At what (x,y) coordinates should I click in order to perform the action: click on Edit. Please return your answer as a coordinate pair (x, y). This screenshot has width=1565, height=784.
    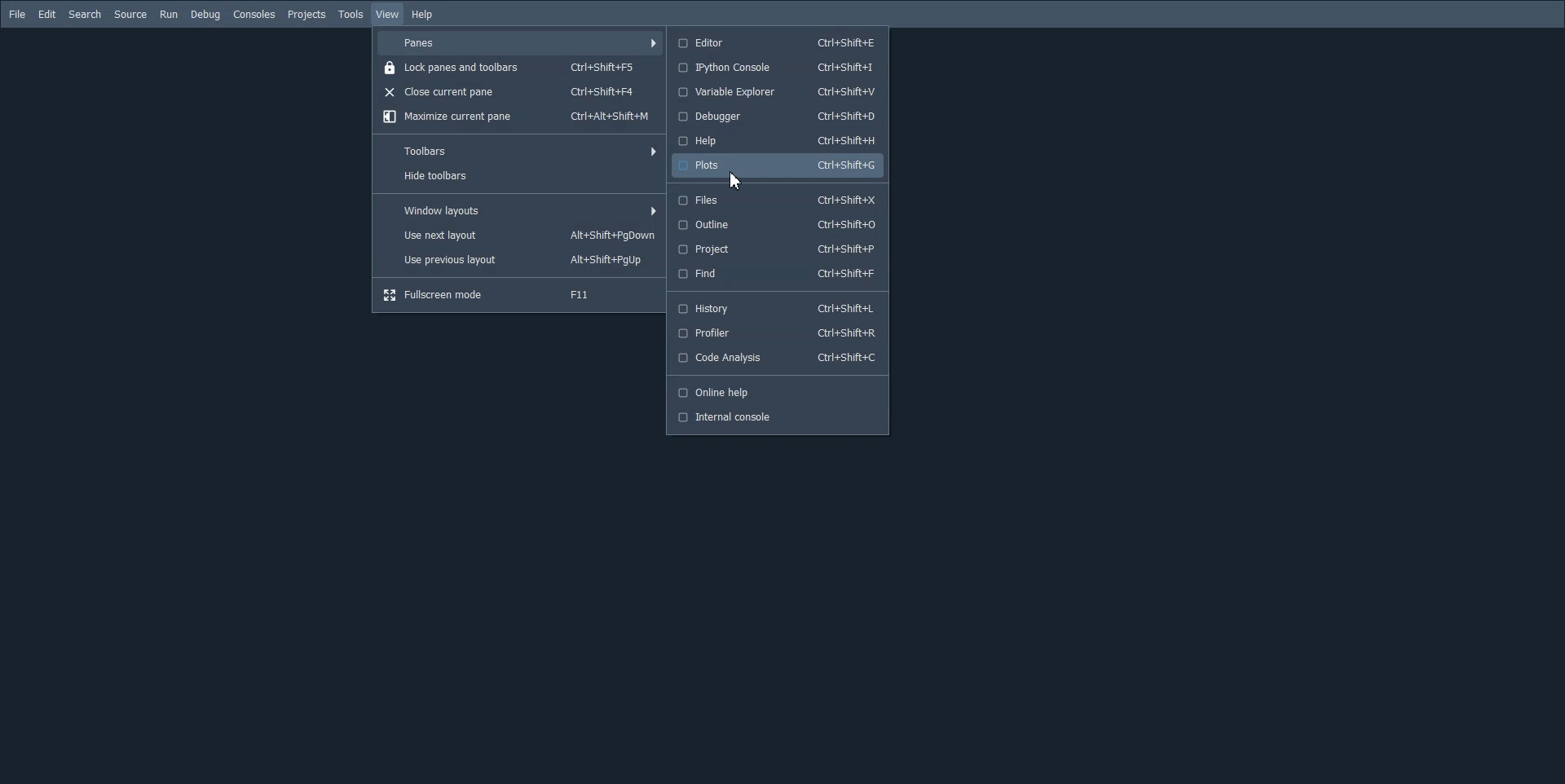
    Looking at the image, I should click on (46, 15).